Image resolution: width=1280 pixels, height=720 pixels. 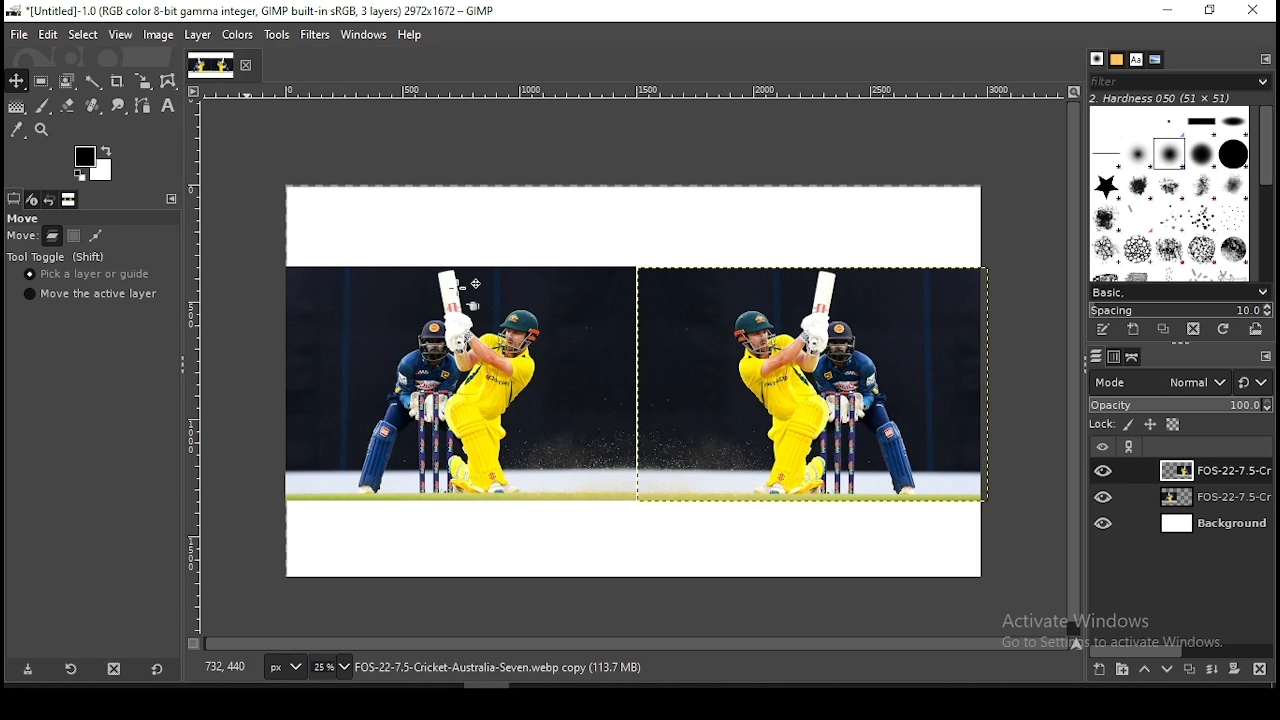 I want to click on new layer group, so click(x=1122, y=671).